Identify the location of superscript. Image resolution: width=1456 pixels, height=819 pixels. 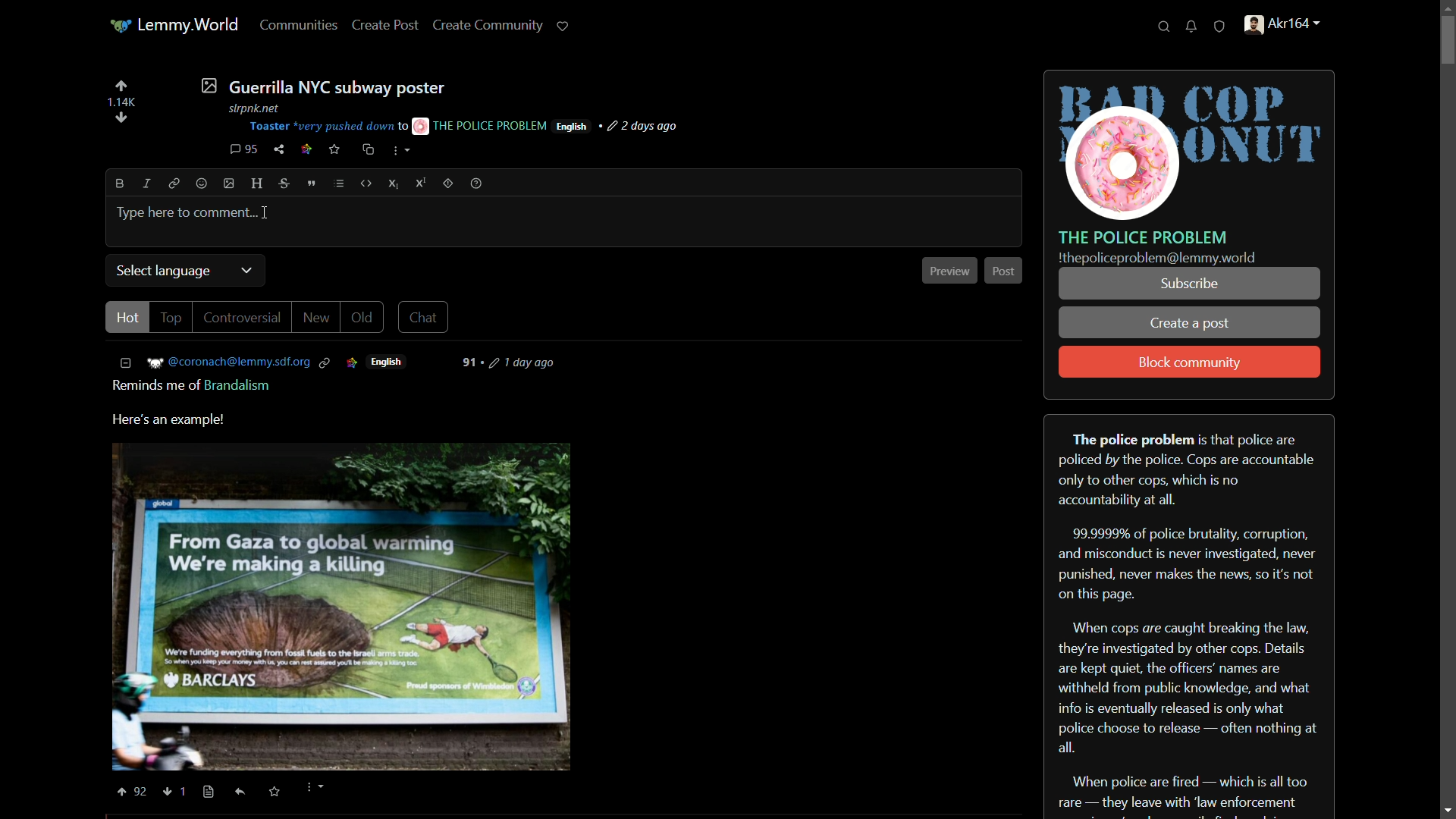
(421, 183).